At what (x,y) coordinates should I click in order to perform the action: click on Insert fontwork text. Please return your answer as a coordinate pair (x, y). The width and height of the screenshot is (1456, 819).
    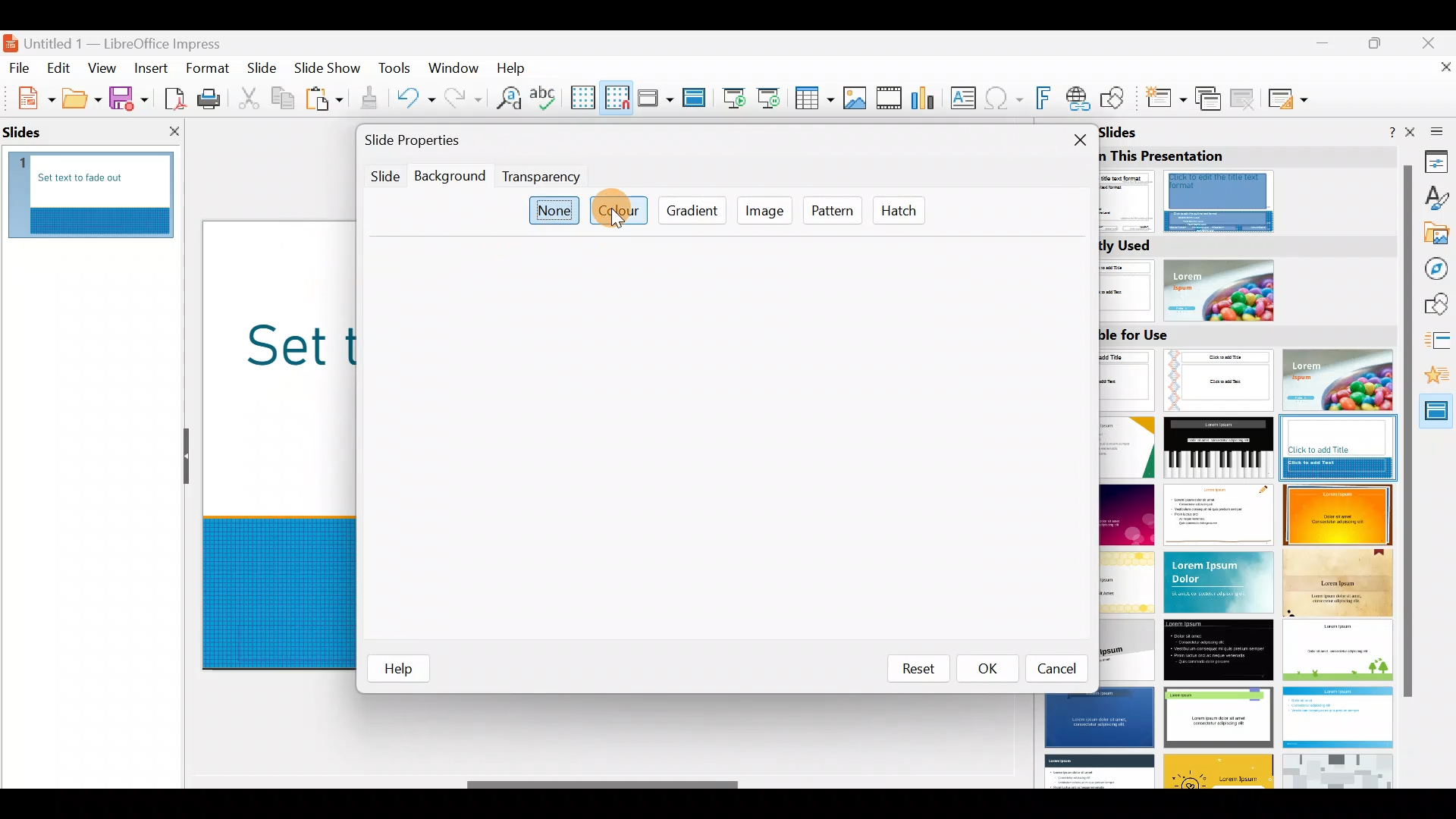
    Looking at the image, I should click on (1046, 101).